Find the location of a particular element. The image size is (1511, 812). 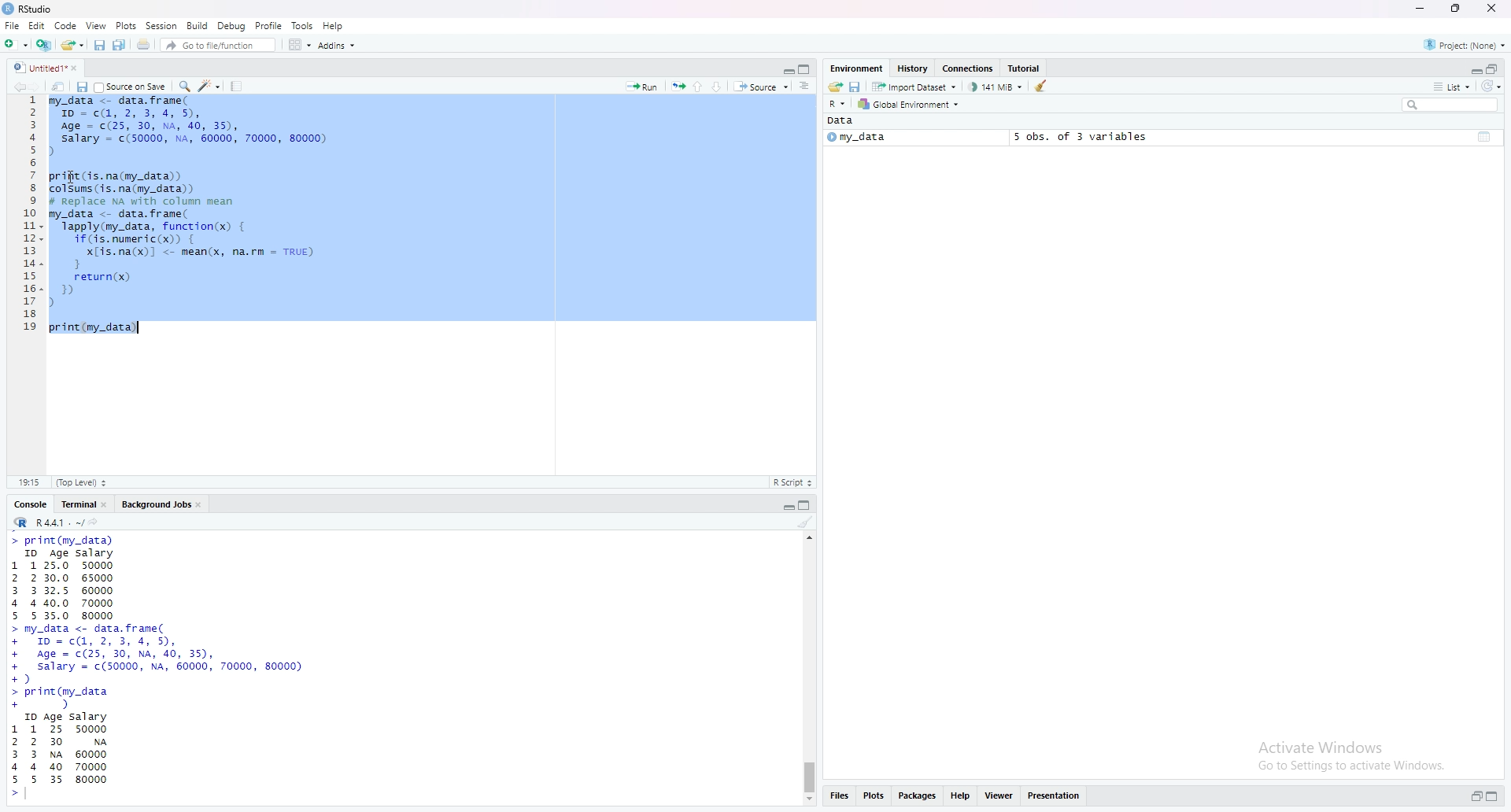

show in new window is located at coordinates (58, 87).